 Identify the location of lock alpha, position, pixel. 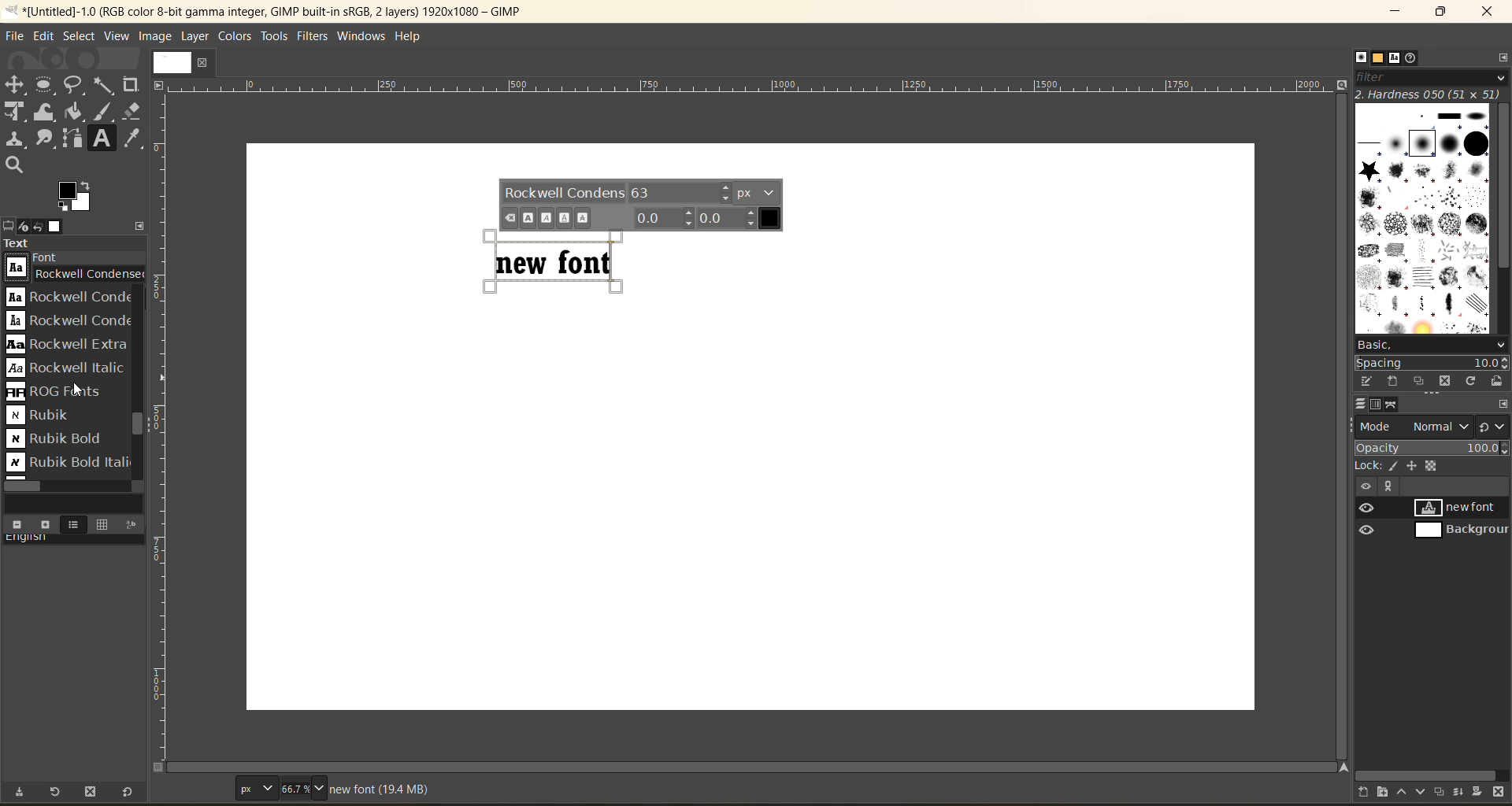
(1407, 464).